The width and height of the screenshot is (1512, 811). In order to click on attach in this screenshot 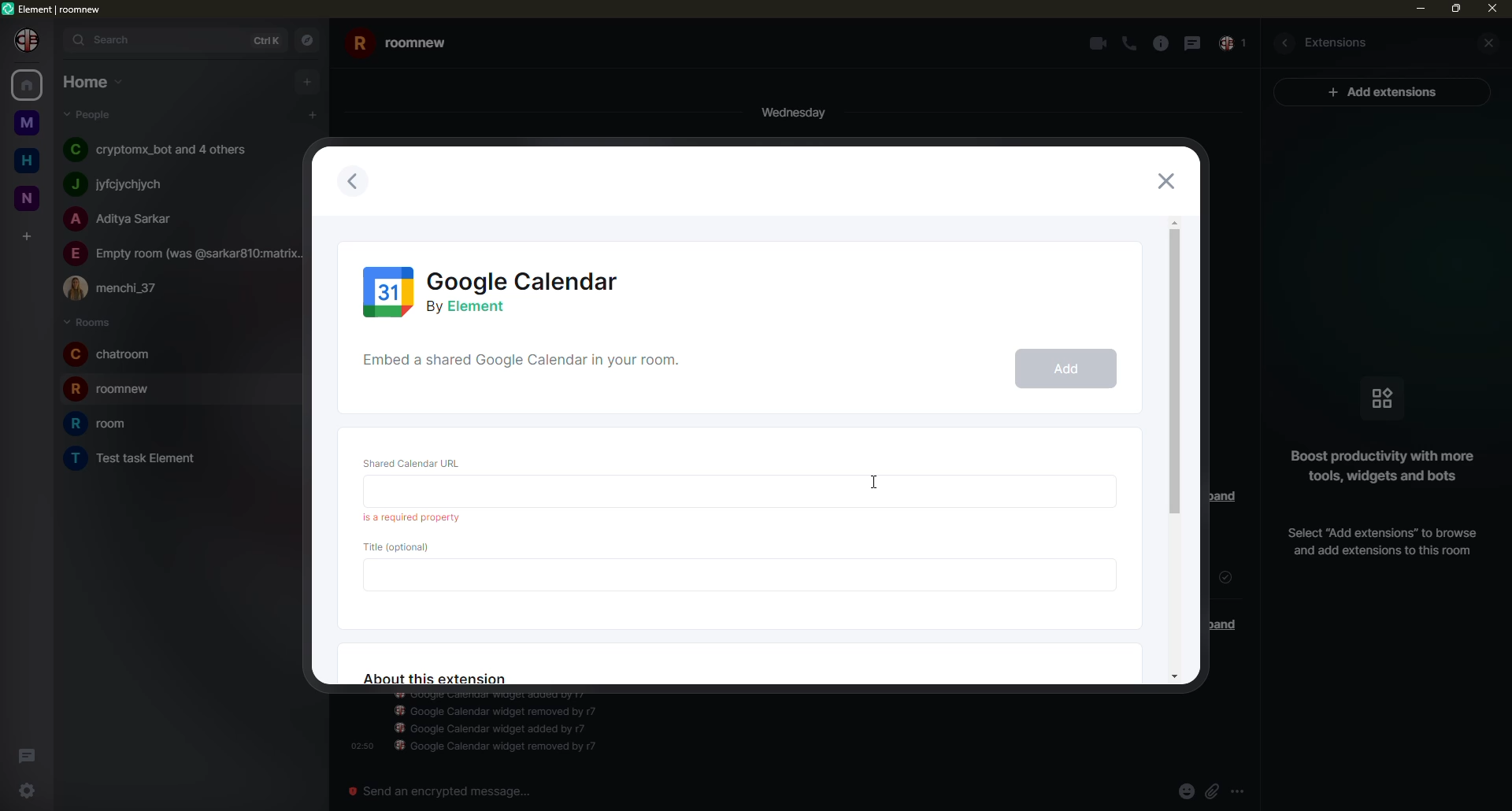, I will do `click(1210, 790)`.